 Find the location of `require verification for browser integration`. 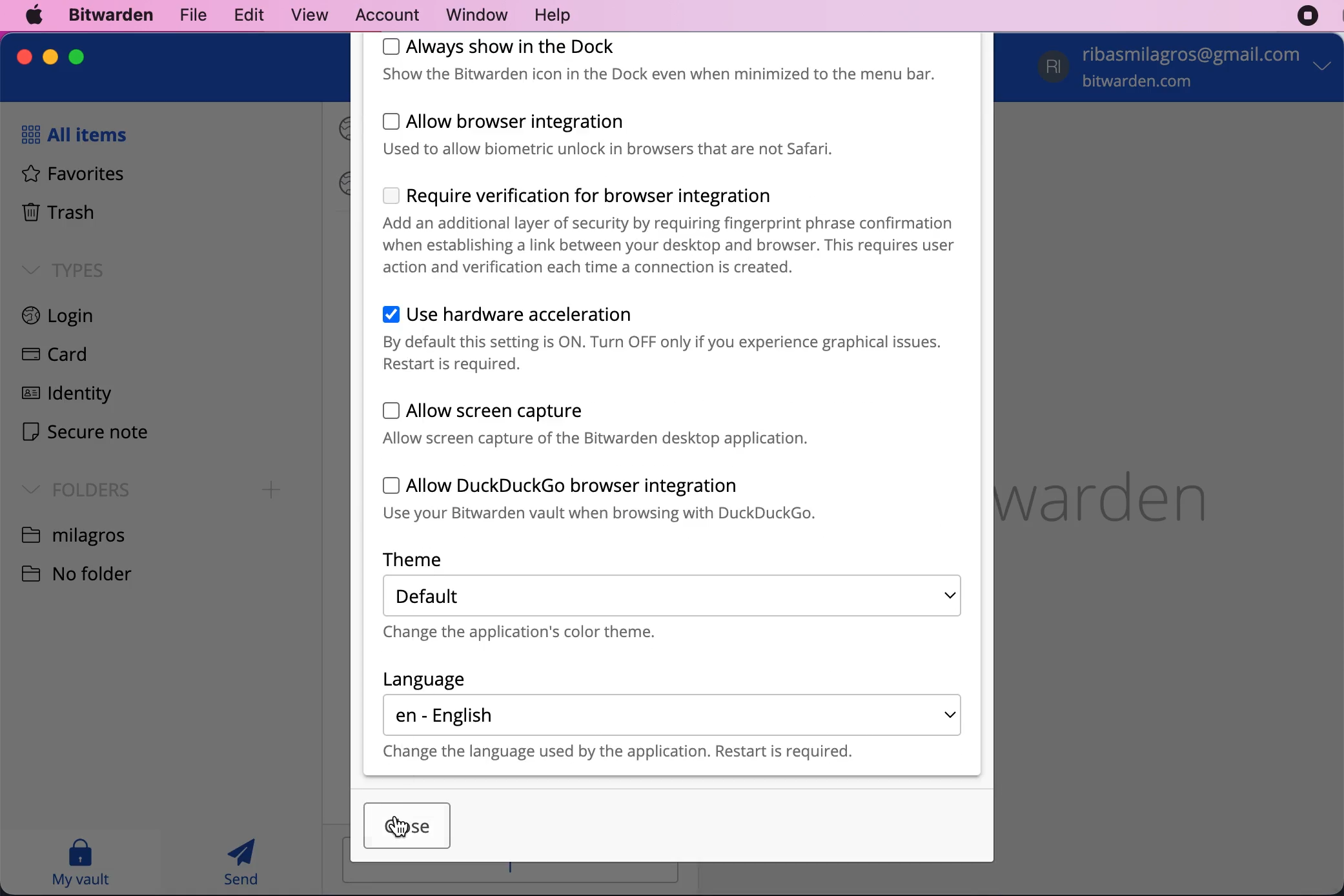

require verification for browser integration is located at coordinates (673, 234).